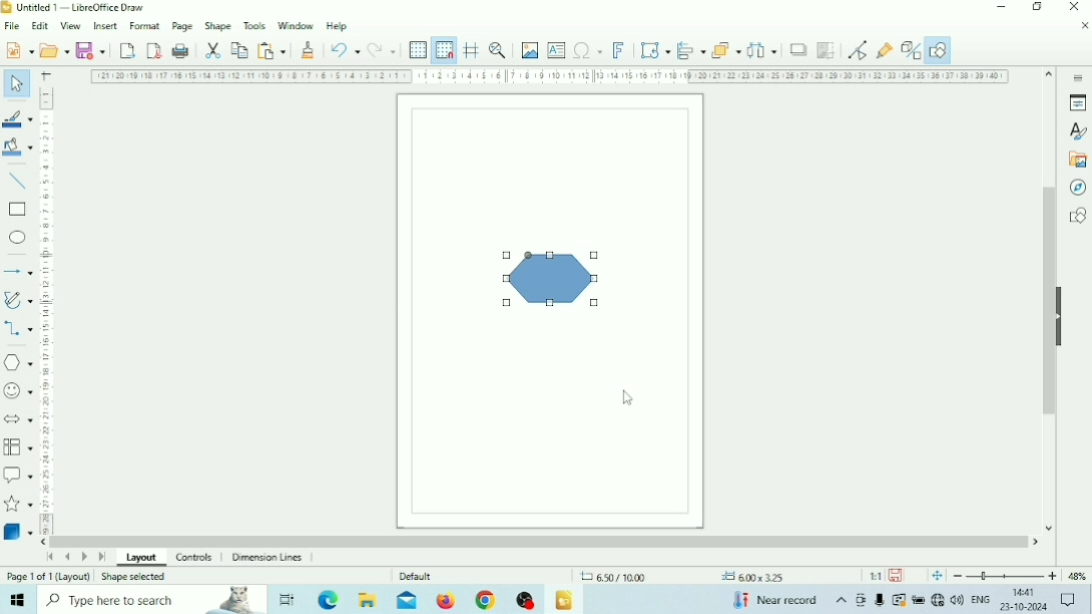 Image resolution: width=1092 pixels, height=614 pixels. I want to click on Microsoft Edge, so click(330, 599).